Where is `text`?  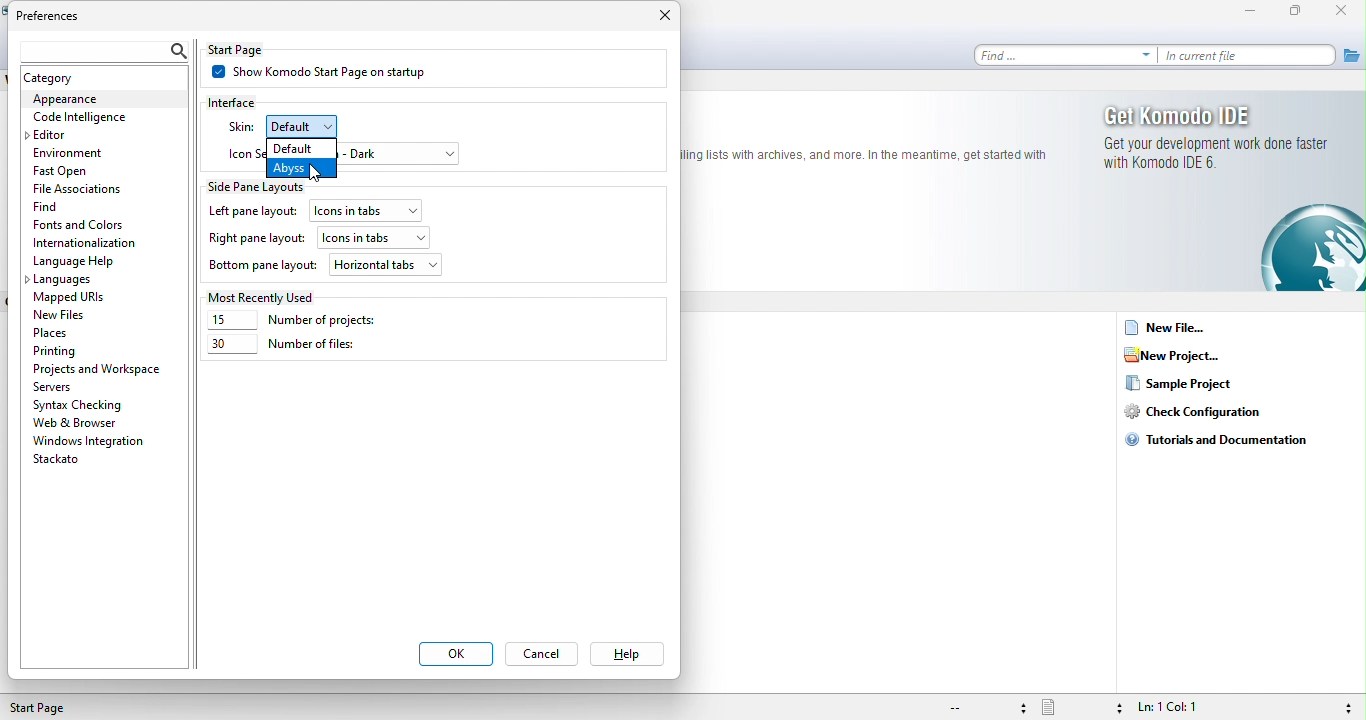
text is located at coordinates (864, 154).